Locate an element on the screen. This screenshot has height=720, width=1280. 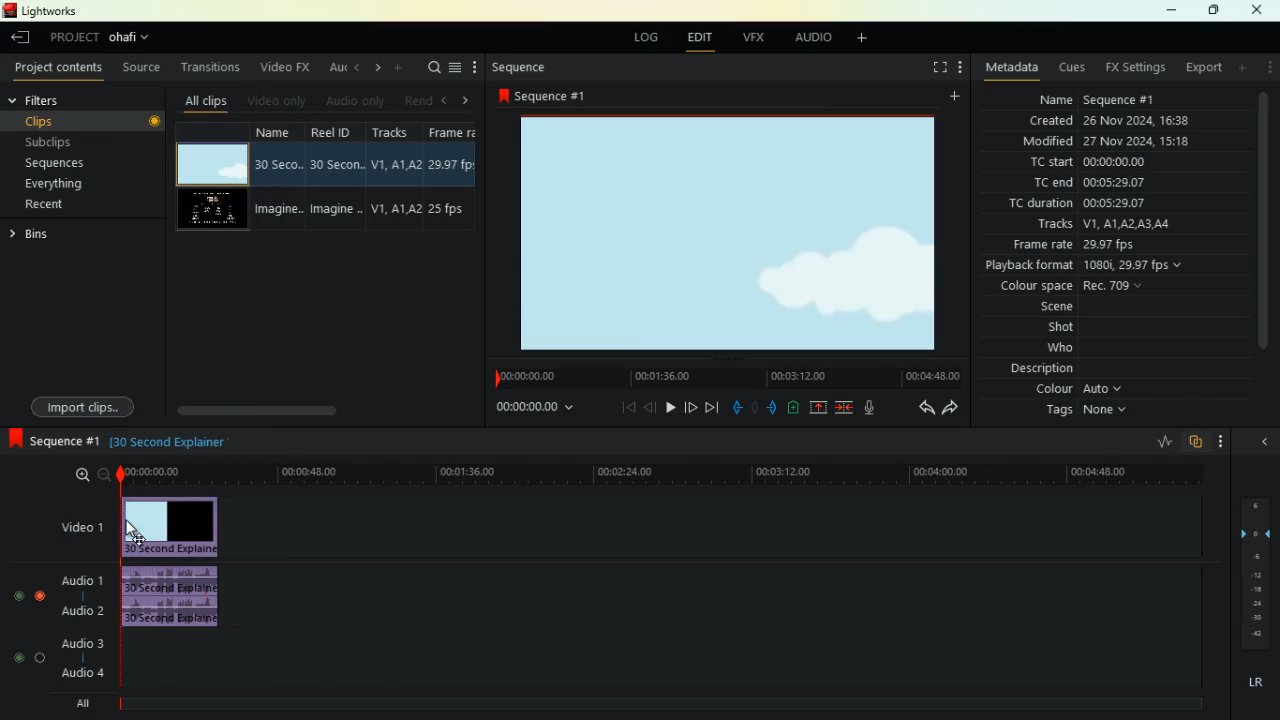
tc start is located at coordinates (1112, 161).